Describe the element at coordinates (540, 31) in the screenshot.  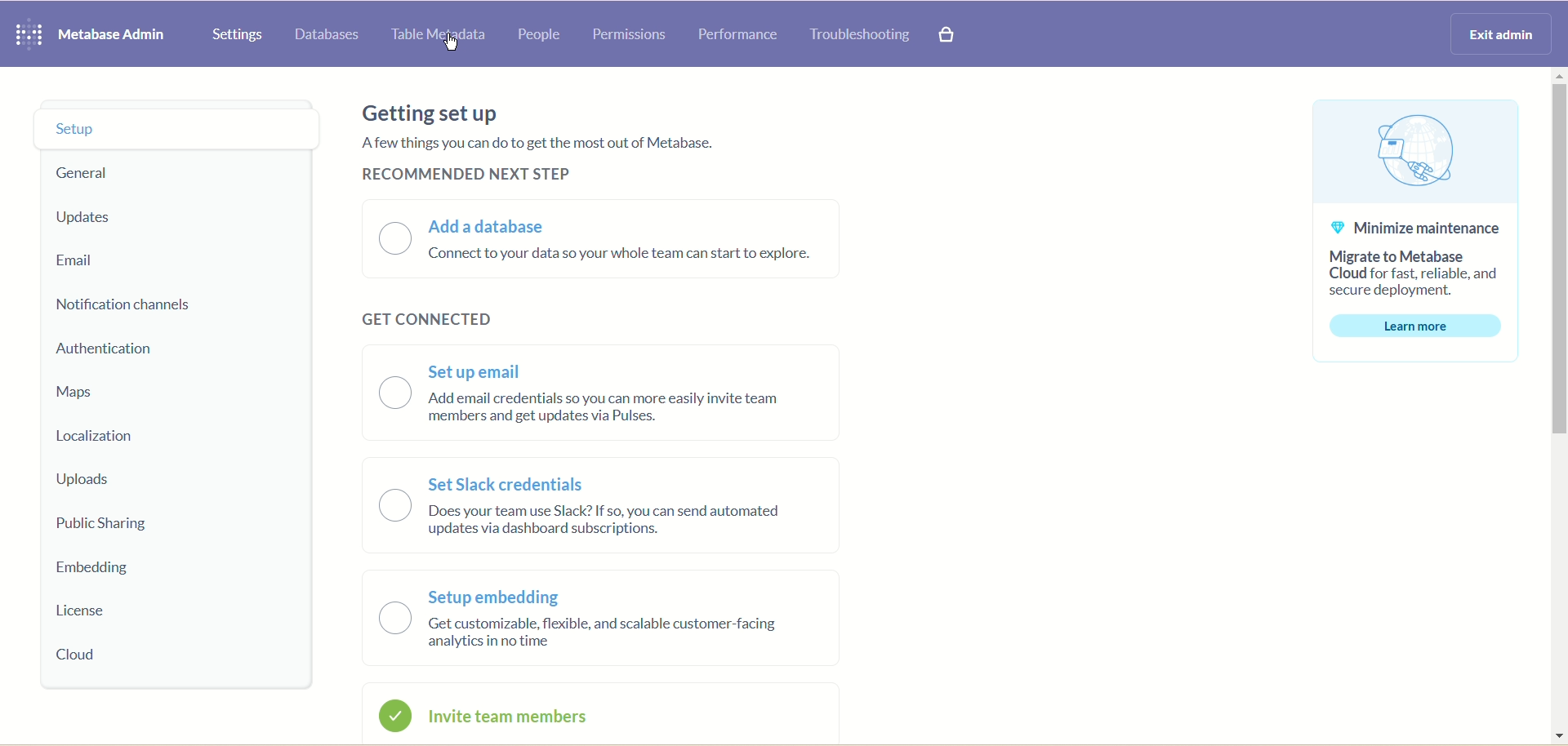
I see `People` at that location.